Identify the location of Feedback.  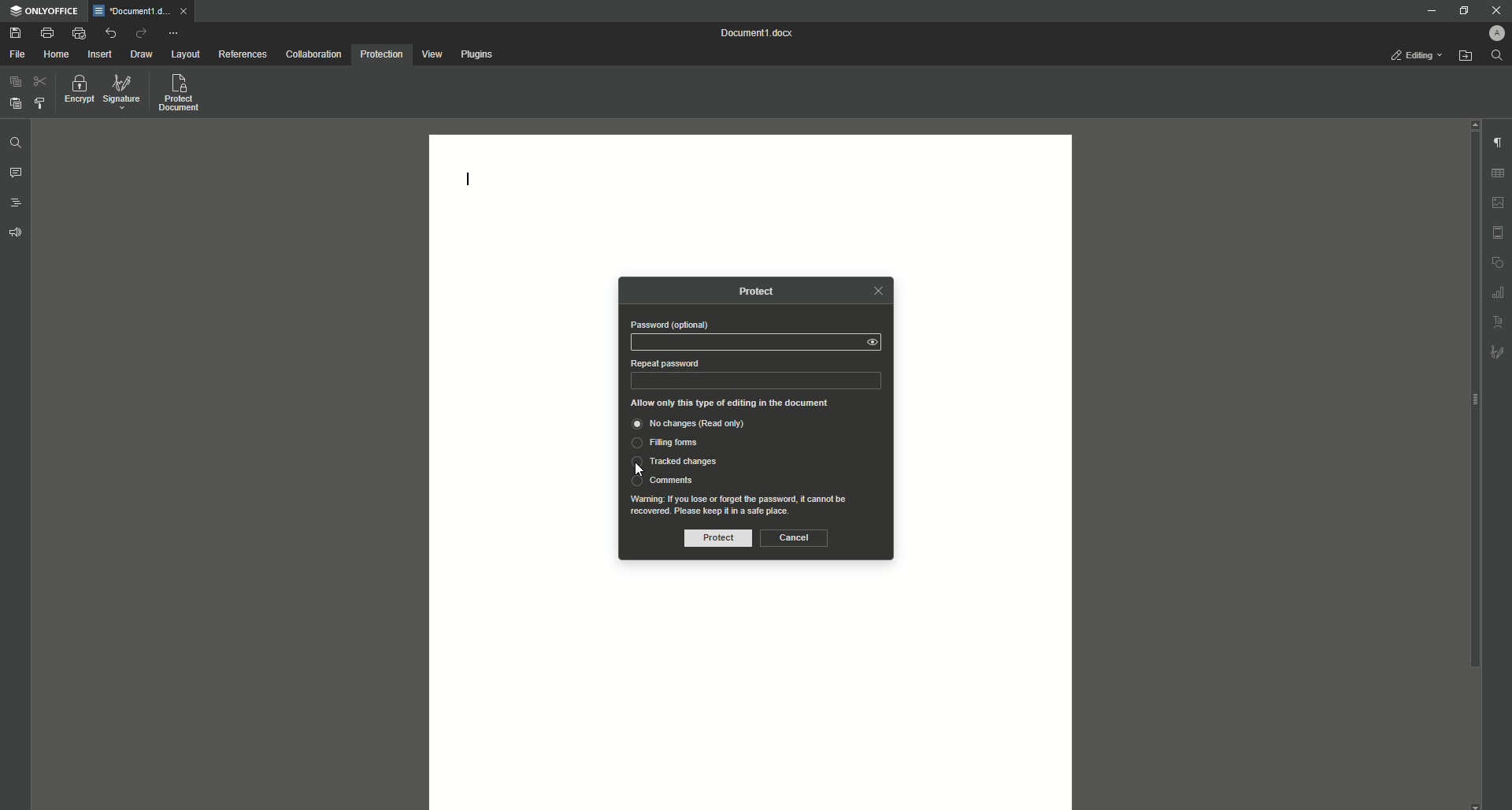
(15, 234).